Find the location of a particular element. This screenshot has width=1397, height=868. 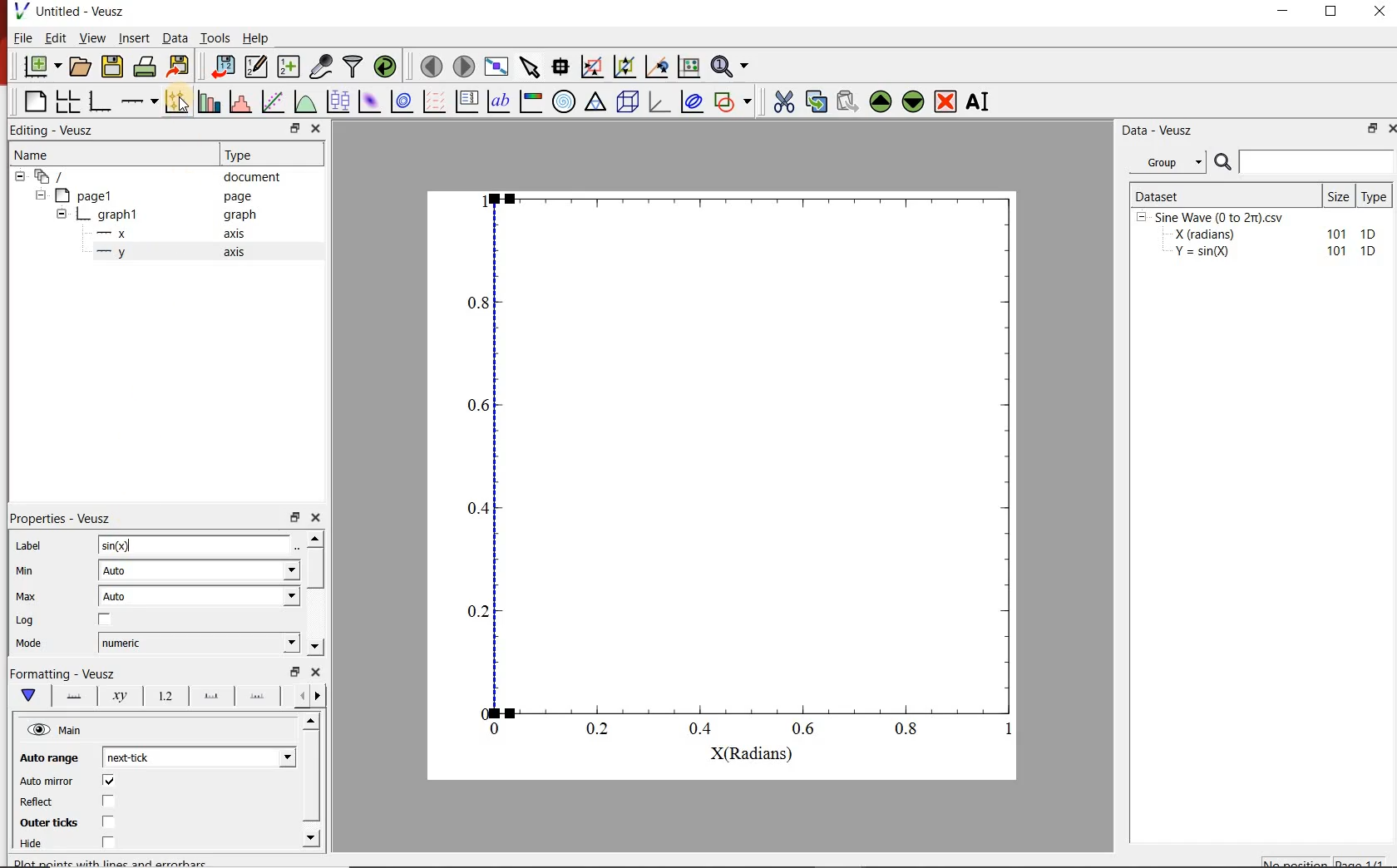

Min/Max is located at coordinates (293, 129).